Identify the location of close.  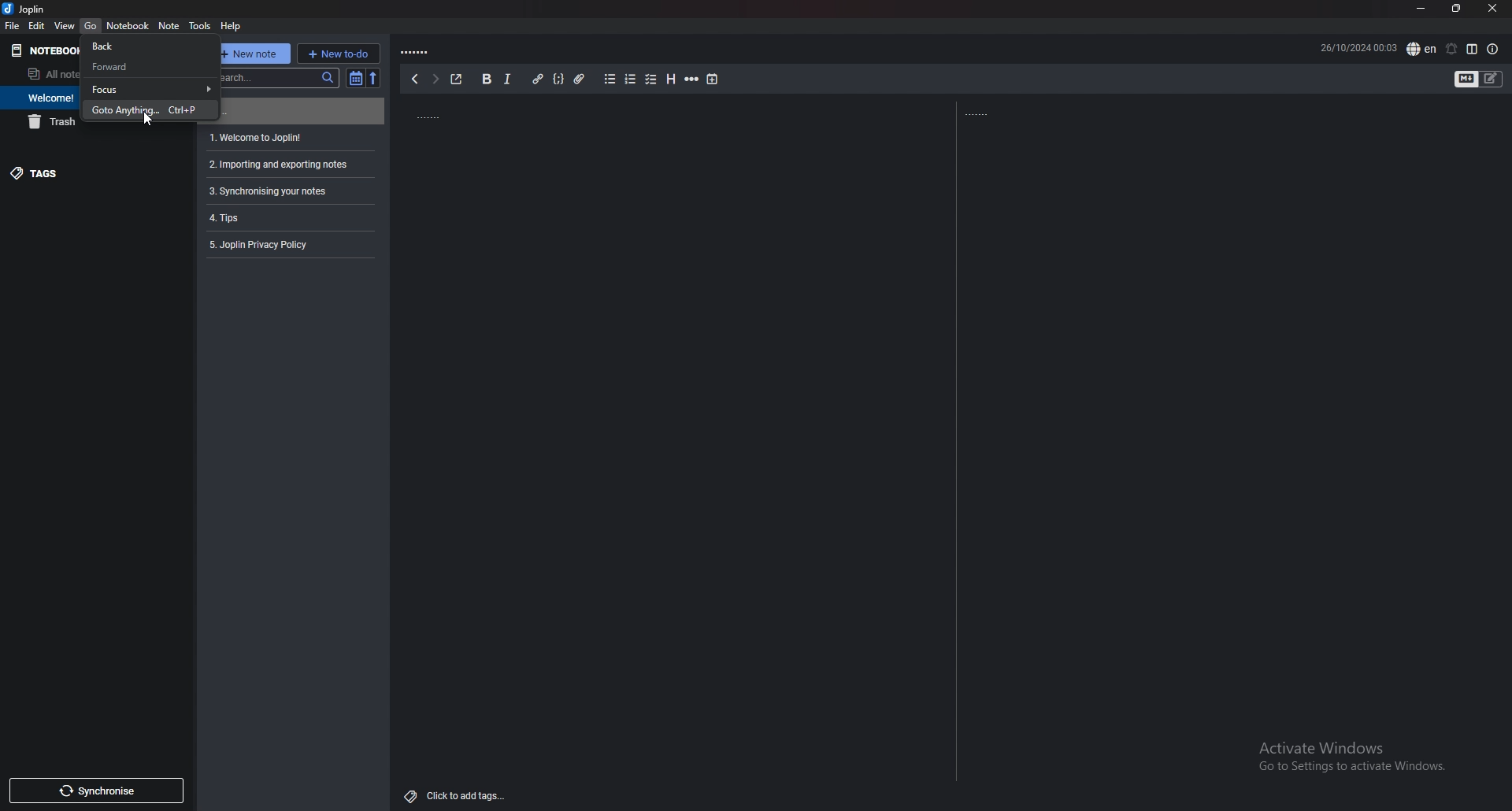
(1494, 8).